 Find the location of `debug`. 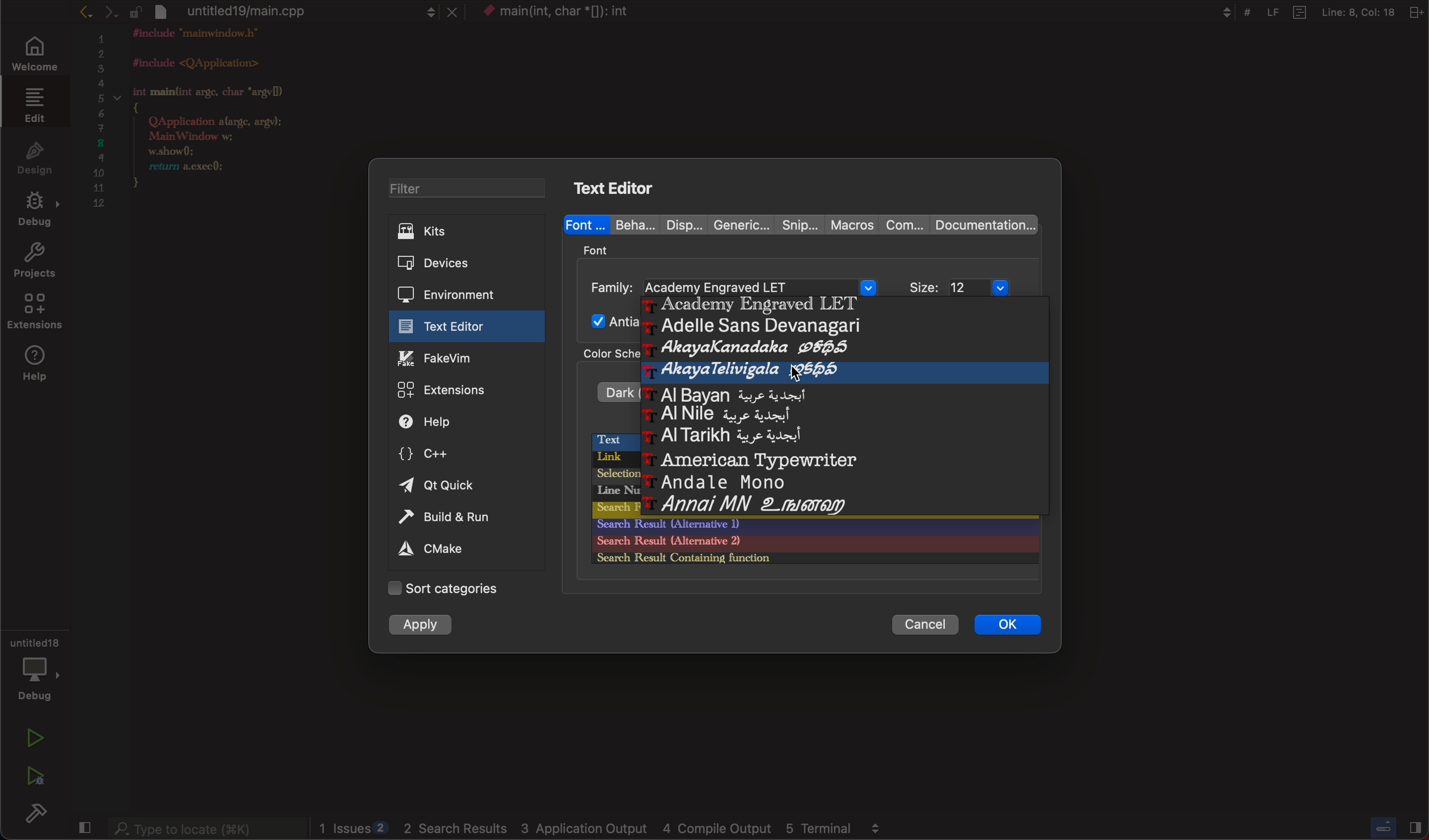

debug is located at coordinates (34, 212).